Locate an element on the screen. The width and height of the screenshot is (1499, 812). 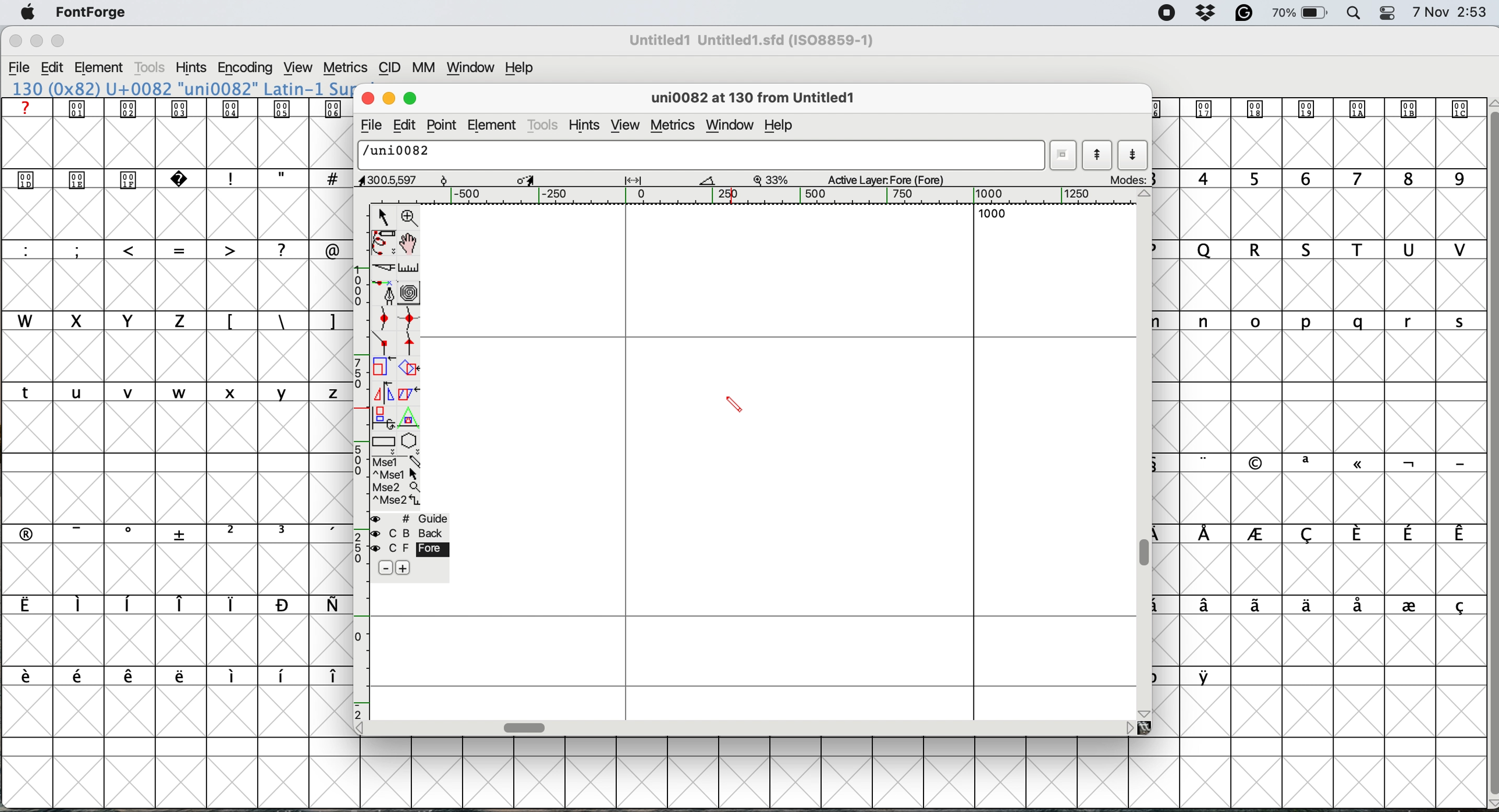
maximise is located at coordinates (411, 99).